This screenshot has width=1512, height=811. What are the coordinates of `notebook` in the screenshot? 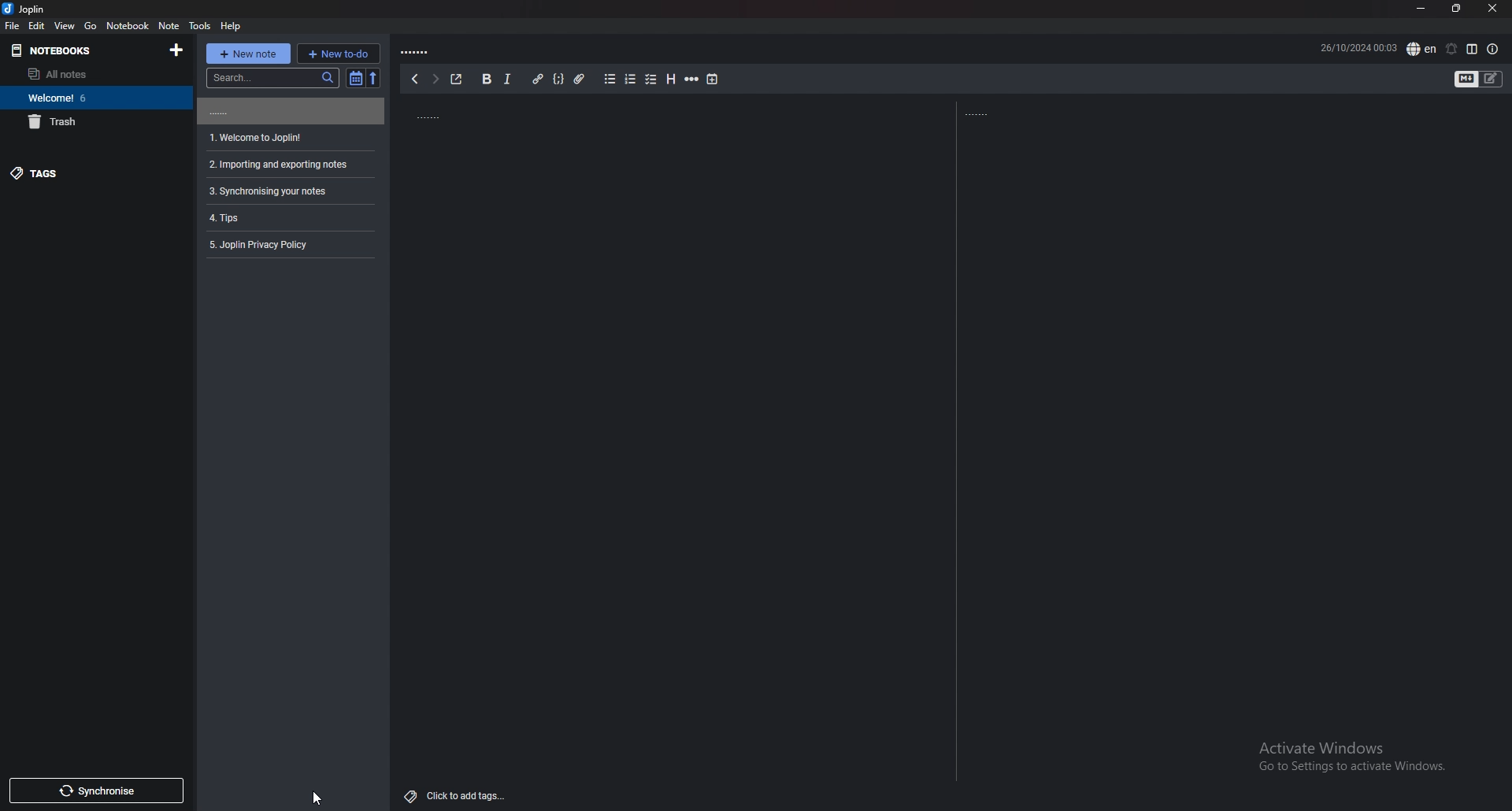 It's located at (127, 25).